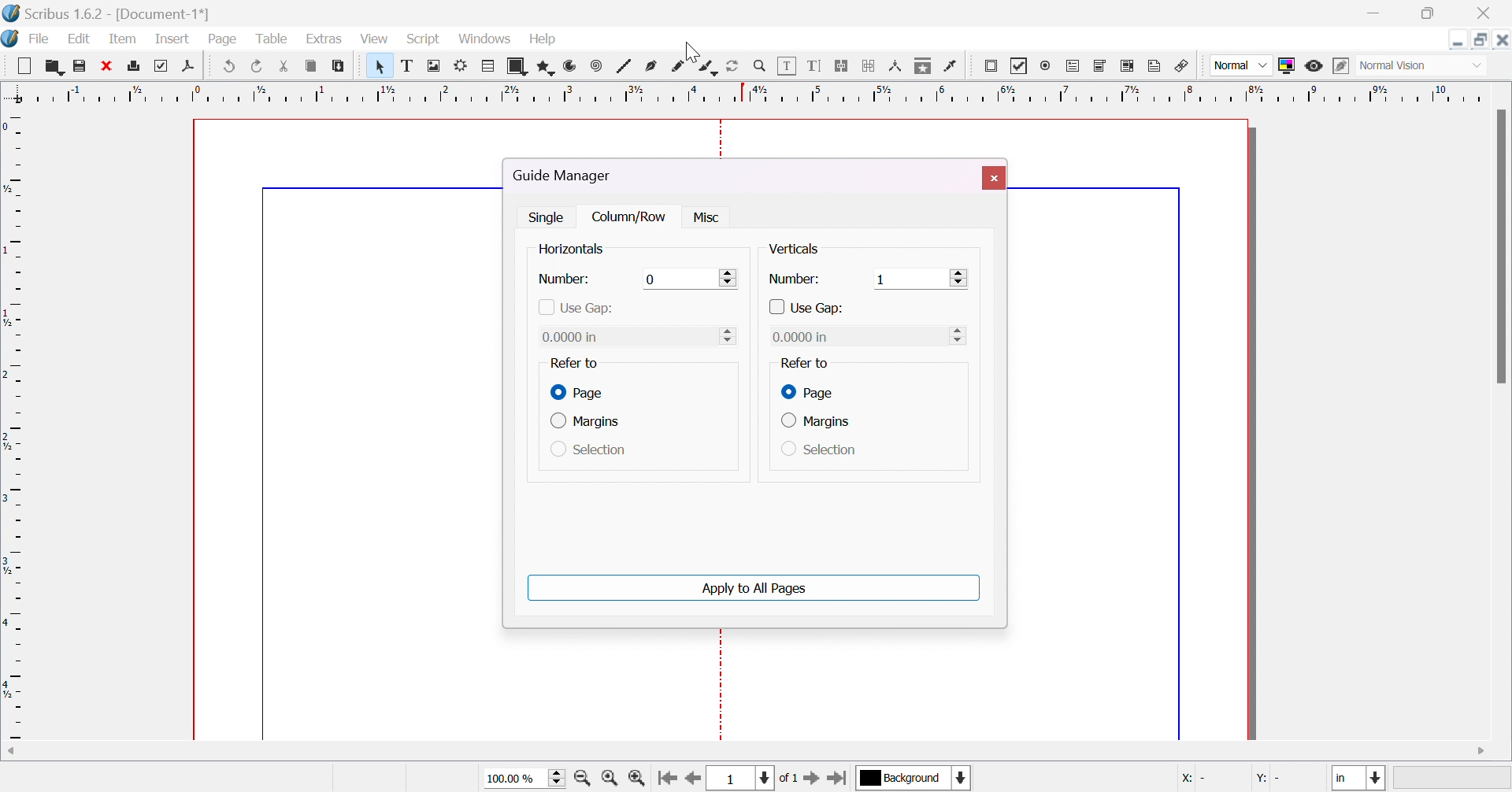 This screenshot has height=792, width=1512. Describe the element at coordinates (882, 279) in the screenshot. I see `1` at that location.